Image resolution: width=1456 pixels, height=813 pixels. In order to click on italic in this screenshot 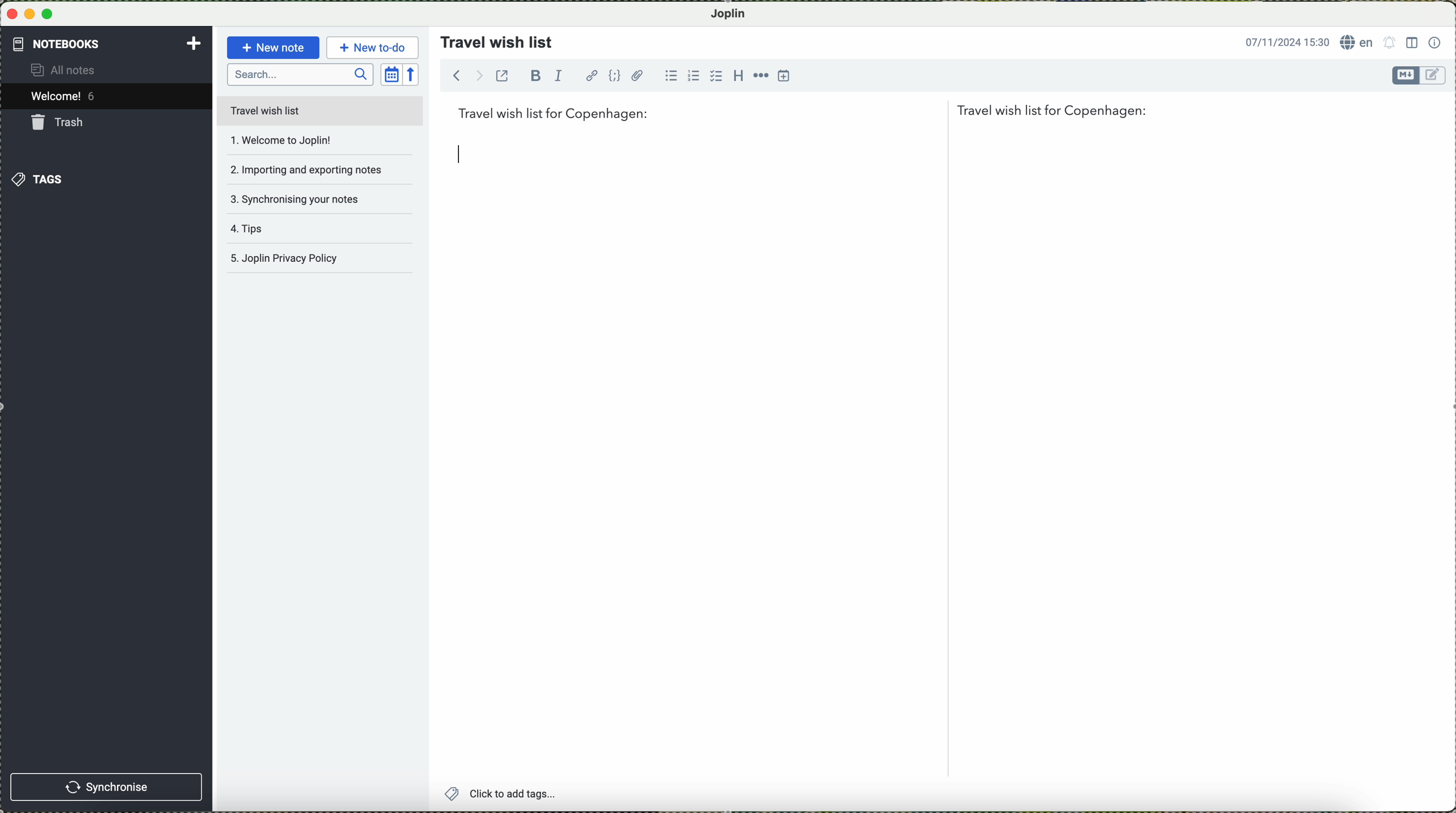, I will do `click(562, 77)`.